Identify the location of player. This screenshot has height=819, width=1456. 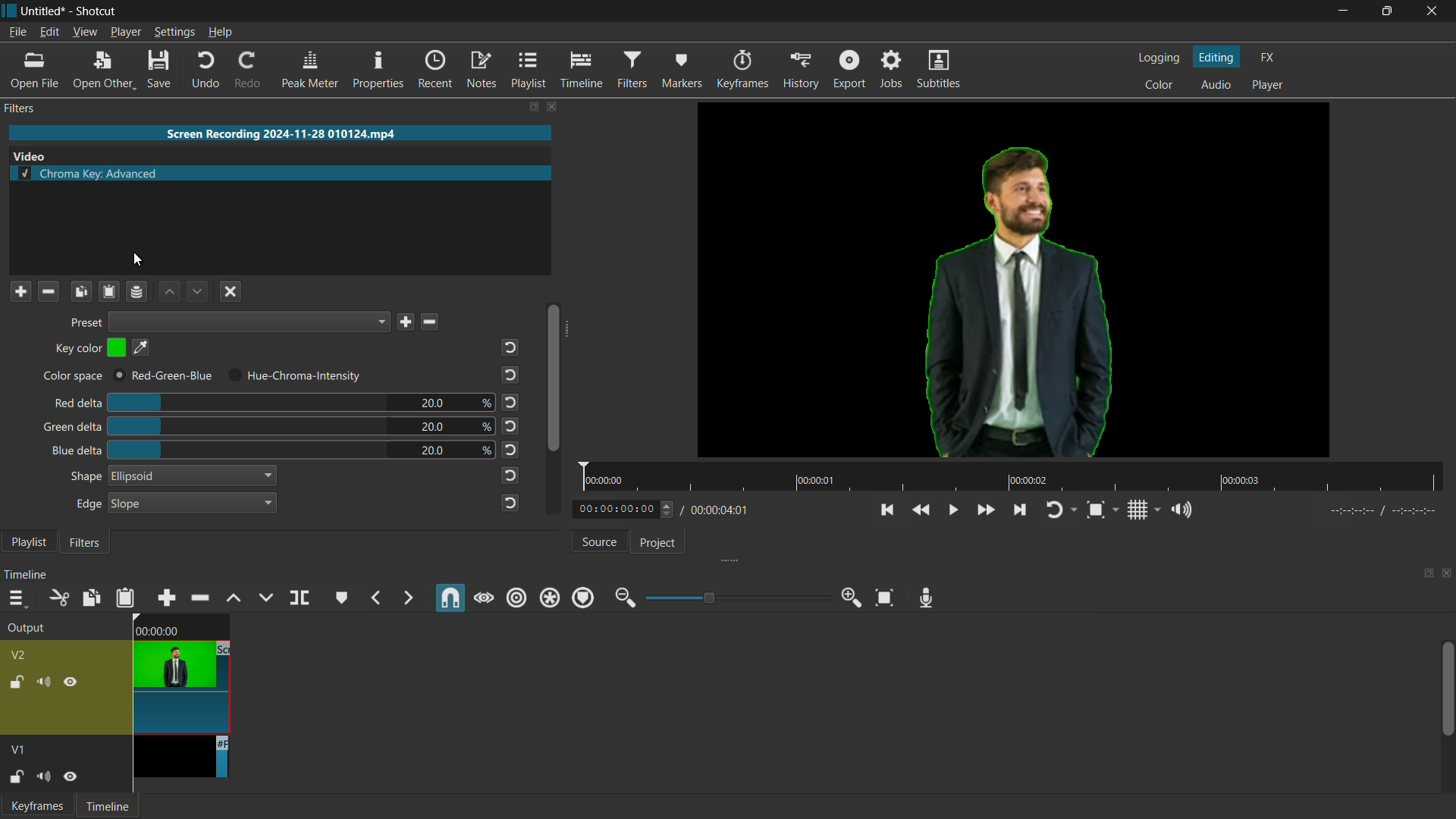
(1267, 86).